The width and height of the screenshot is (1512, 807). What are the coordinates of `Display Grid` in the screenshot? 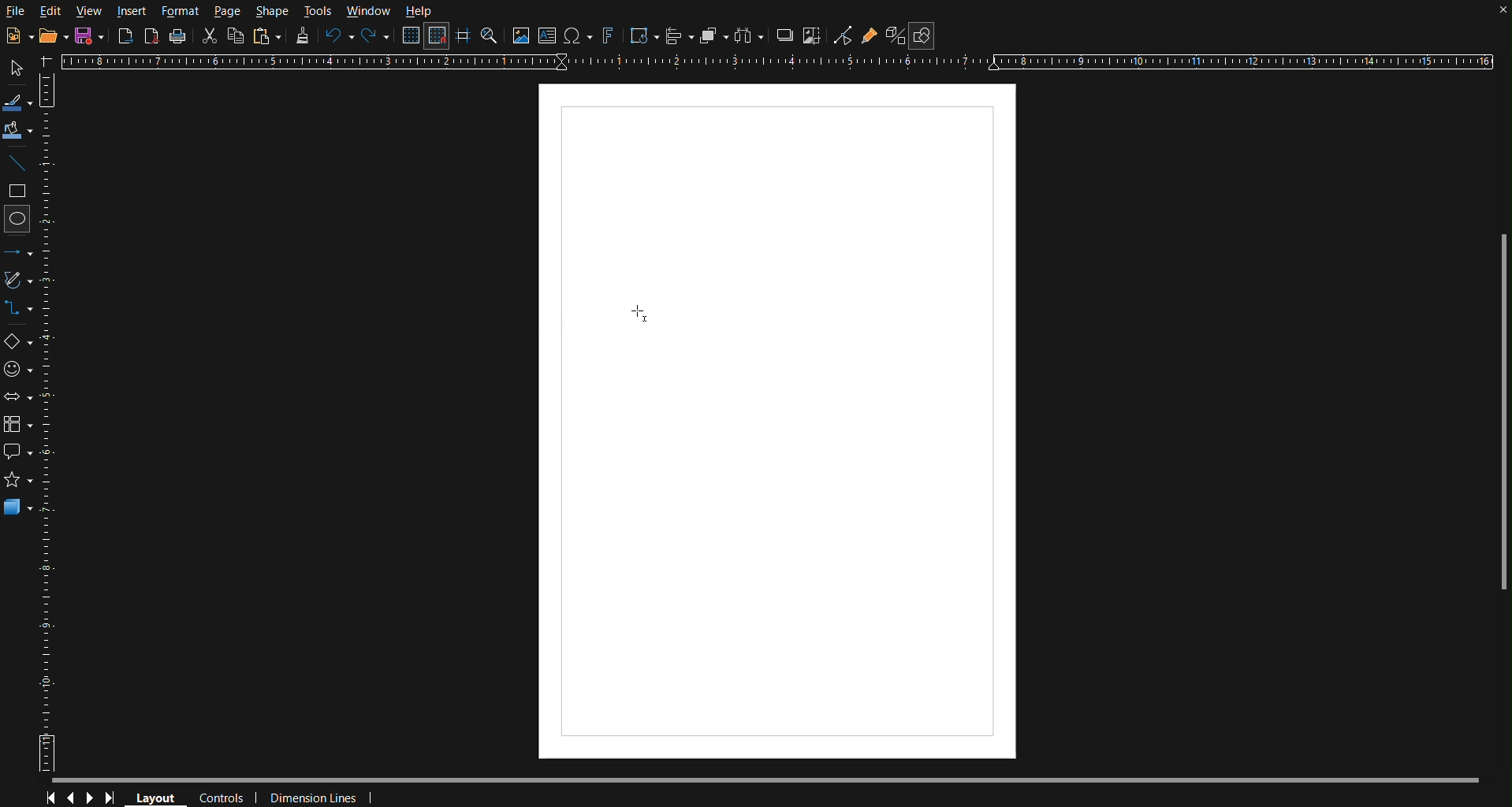 It's located at (410, 36).